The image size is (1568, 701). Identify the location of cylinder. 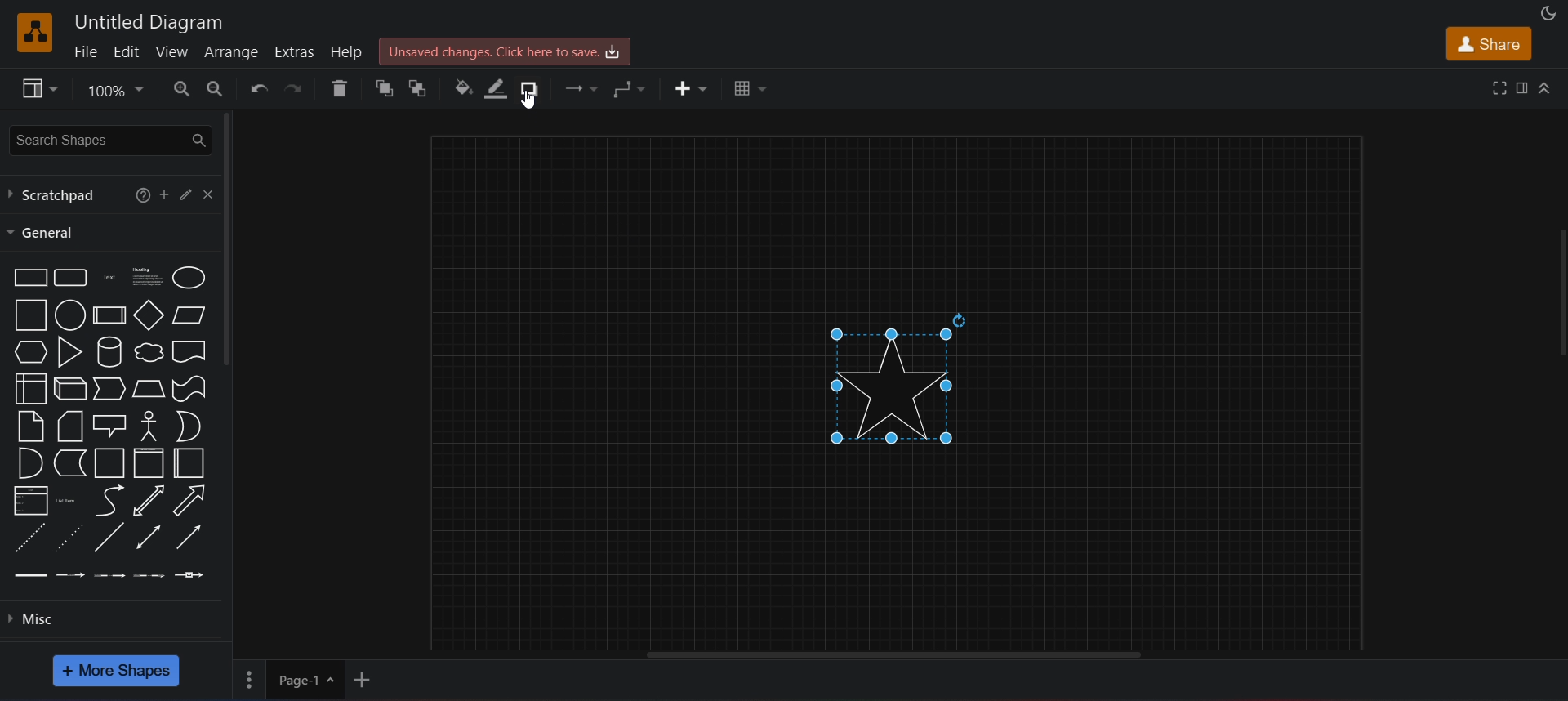
(107, 351).